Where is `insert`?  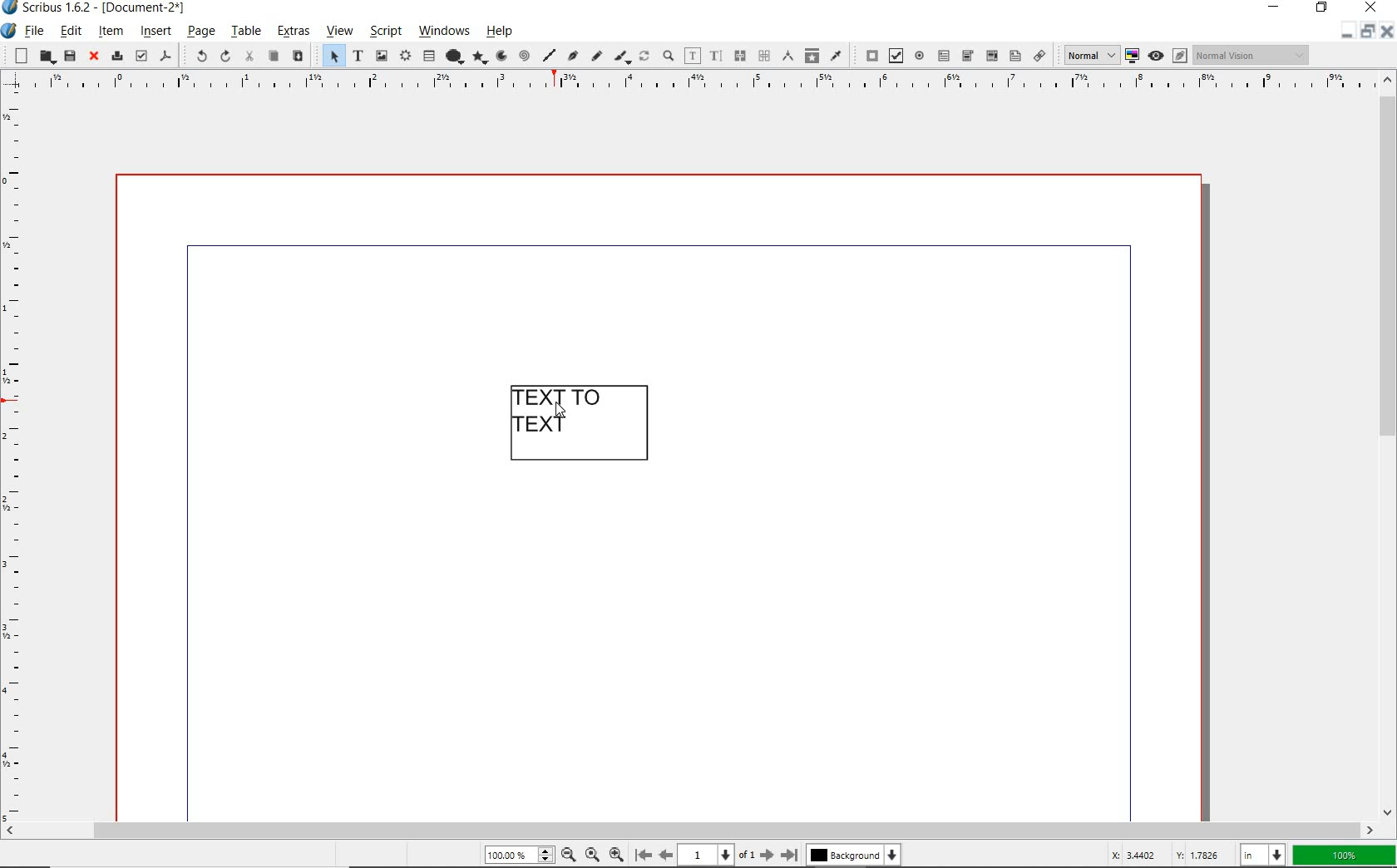 insert is located at coordinates (155, 31).